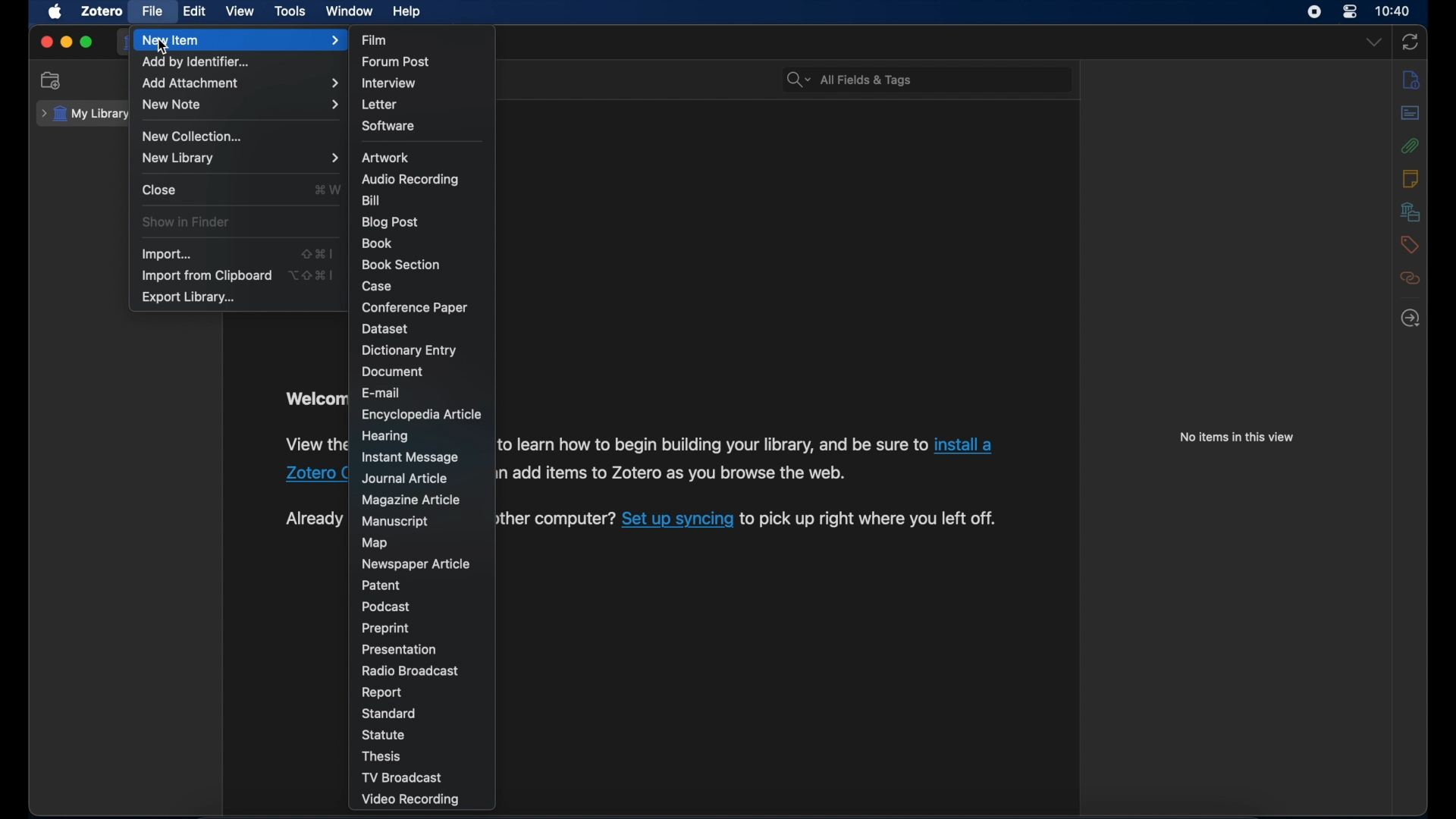  I want to click on close, so click(159, 190).